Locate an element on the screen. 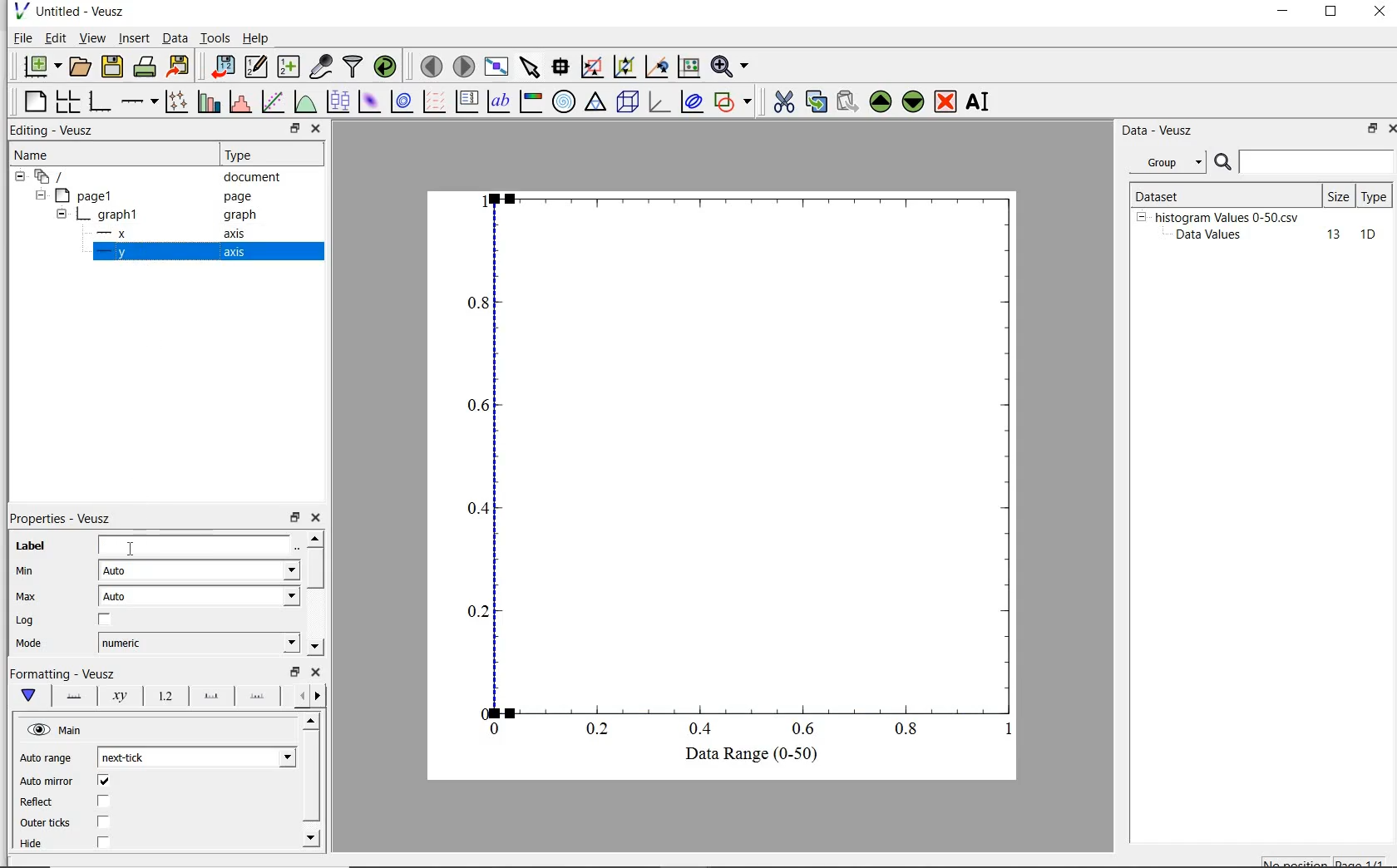 This screenshot has height=868, width=1397. zoom functions menu is located at coordinates (730, 67).